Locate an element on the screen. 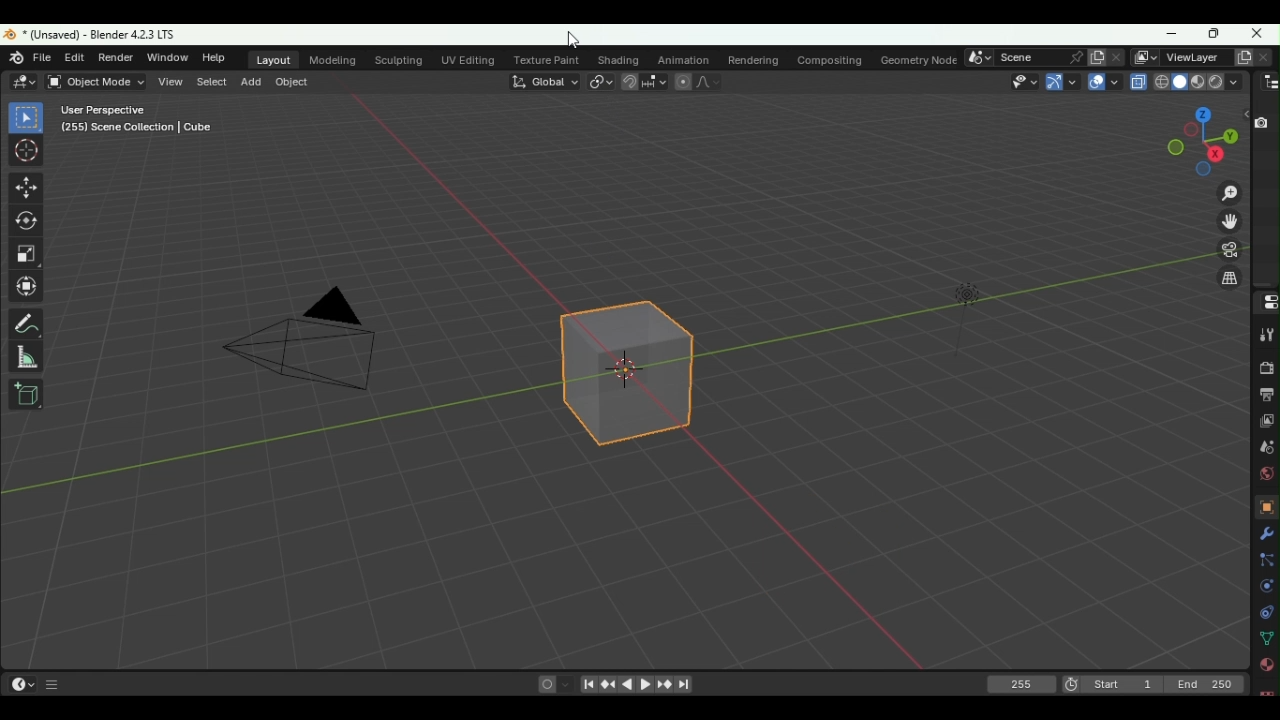  Current frame is located at coordinates (1023, 685).